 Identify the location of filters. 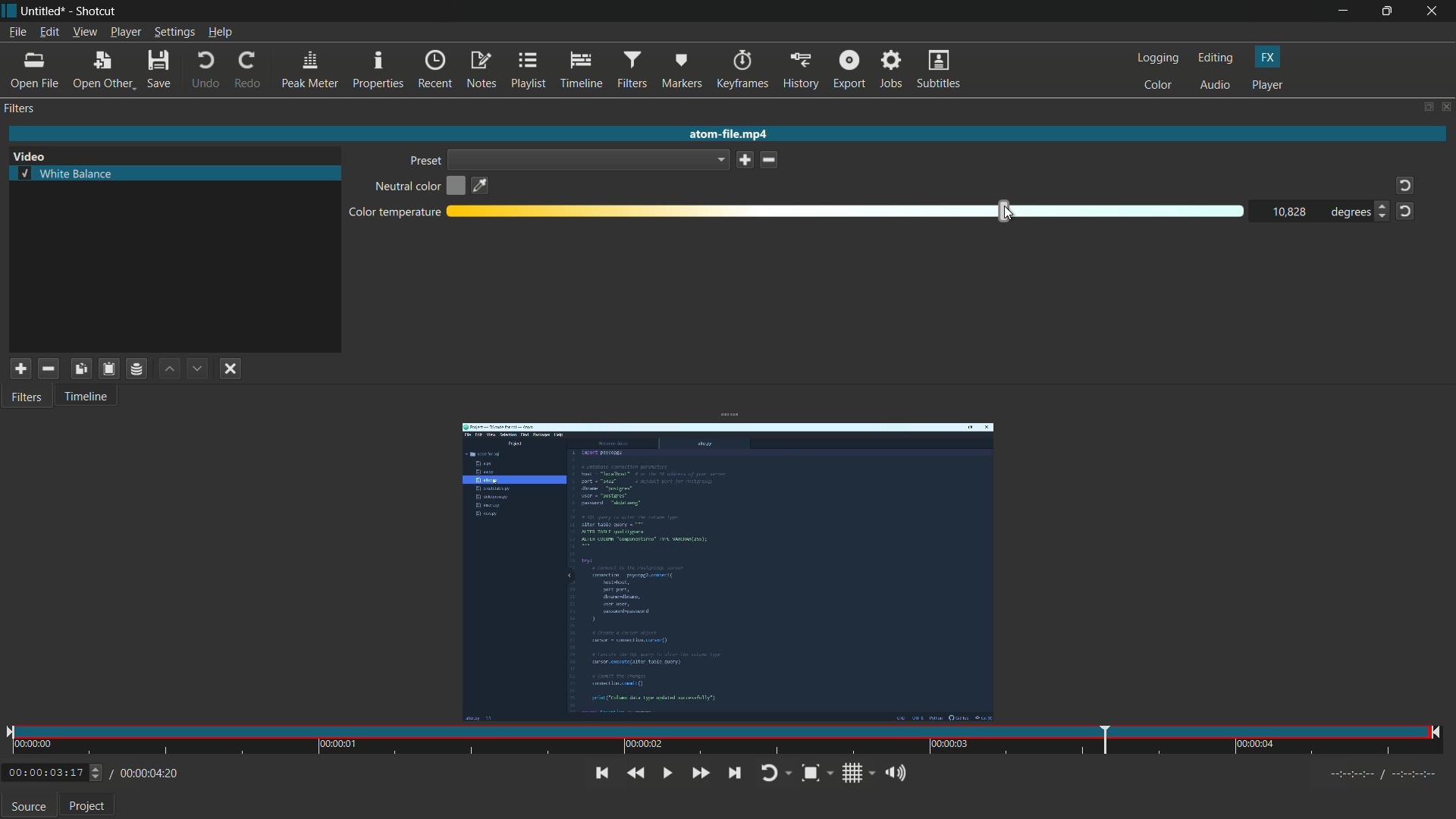
(633, 70).